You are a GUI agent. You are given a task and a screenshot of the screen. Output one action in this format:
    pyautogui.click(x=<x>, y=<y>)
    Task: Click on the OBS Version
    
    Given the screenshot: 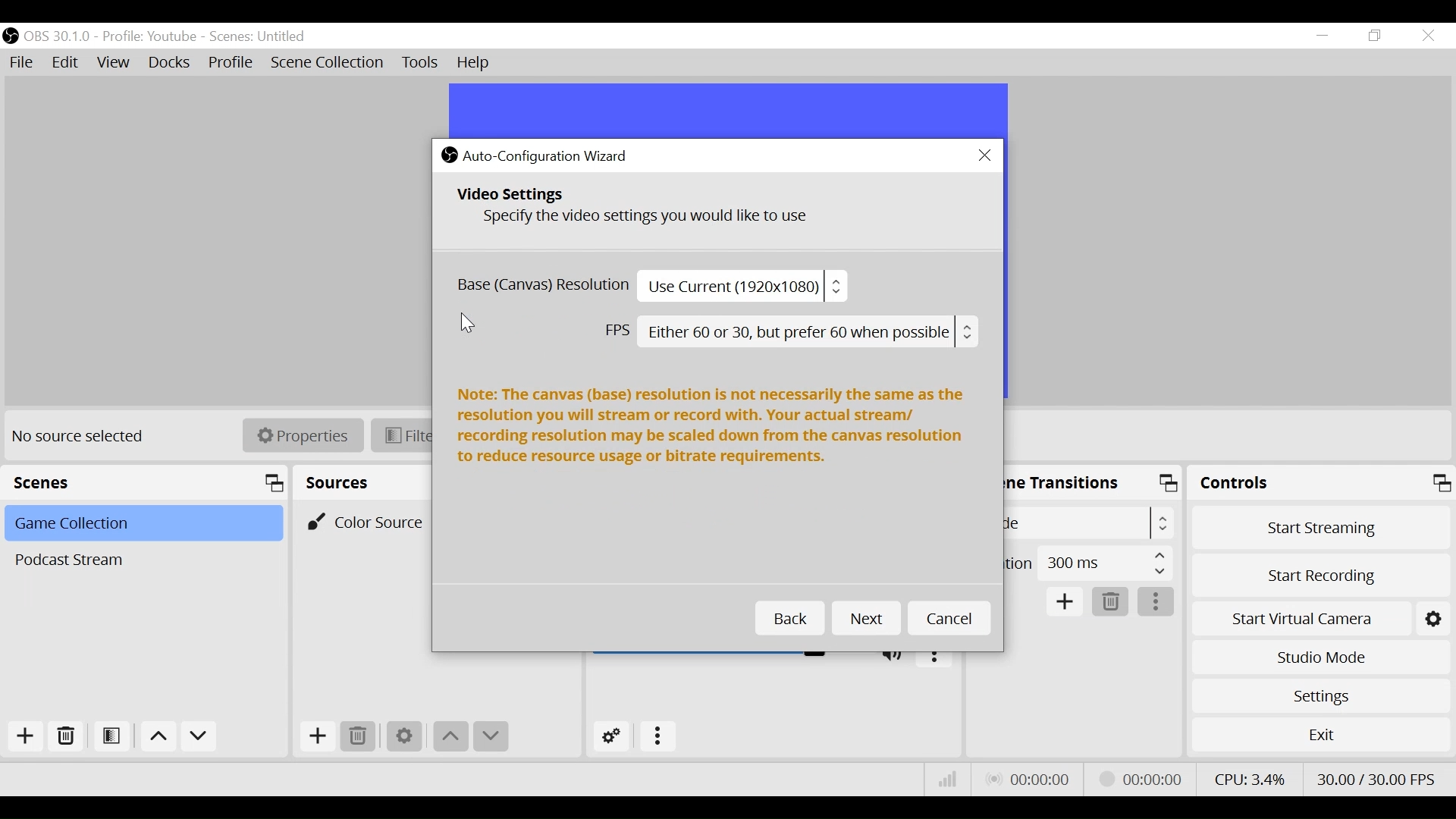 What is the action you would take?
    pyautogui.click(x=58, y=37)
    